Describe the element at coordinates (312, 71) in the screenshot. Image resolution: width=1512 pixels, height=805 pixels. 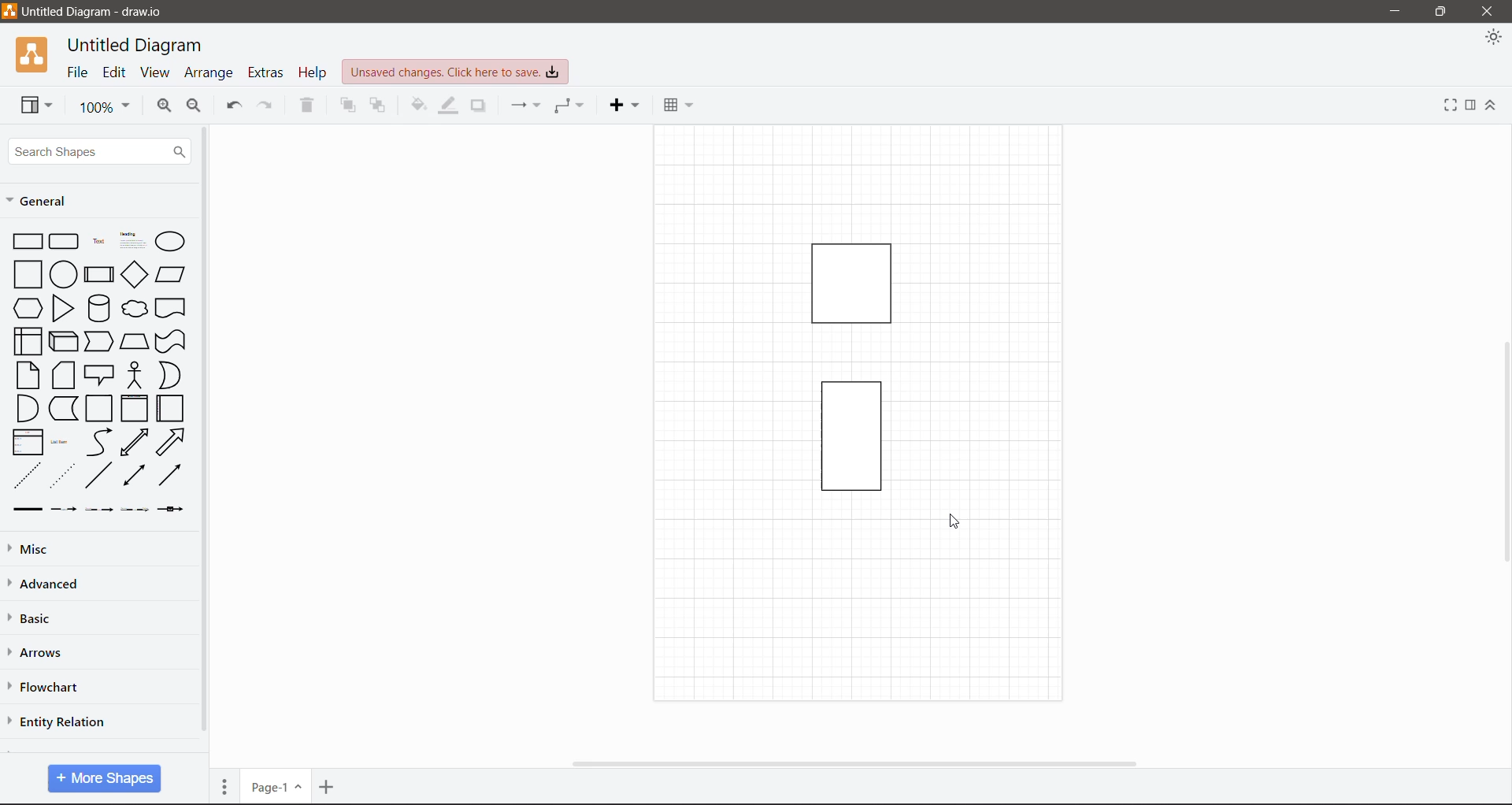
I see `Help` at that location.